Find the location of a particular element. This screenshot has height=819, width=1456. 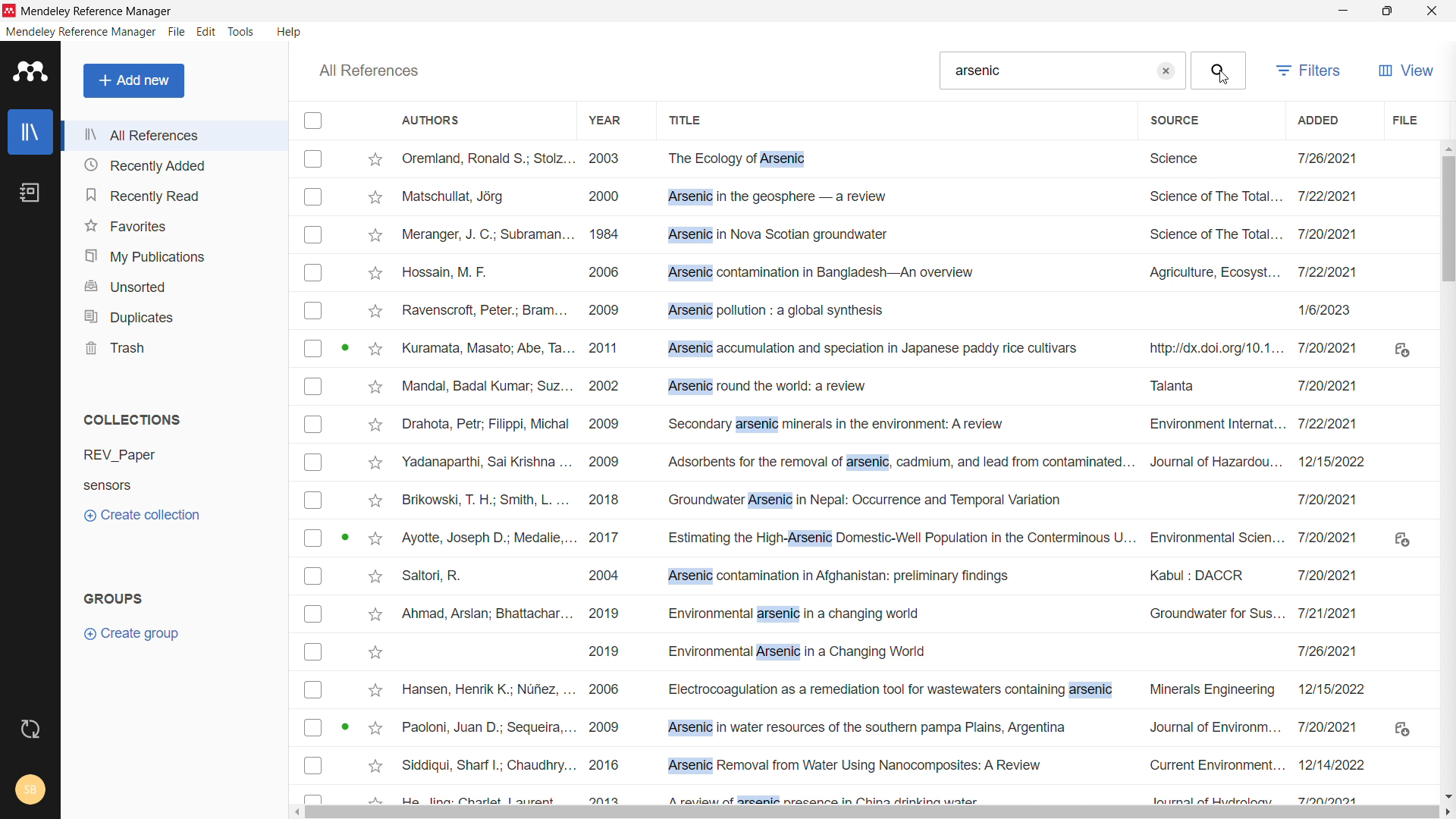

Checkbox is located at coordinates (311, 577).